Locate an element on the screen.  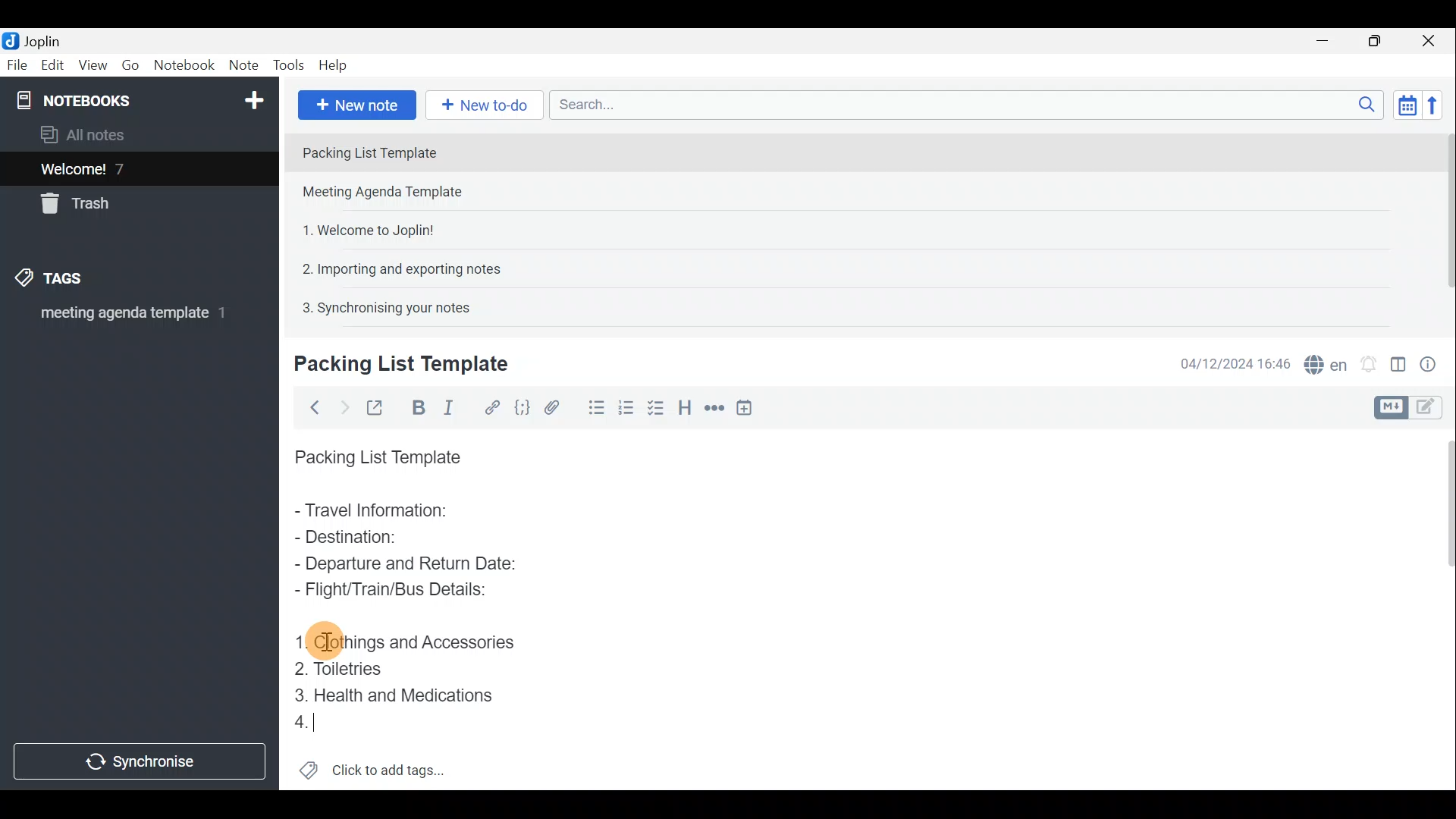
Note 2 is located at coordinates (397, 193).